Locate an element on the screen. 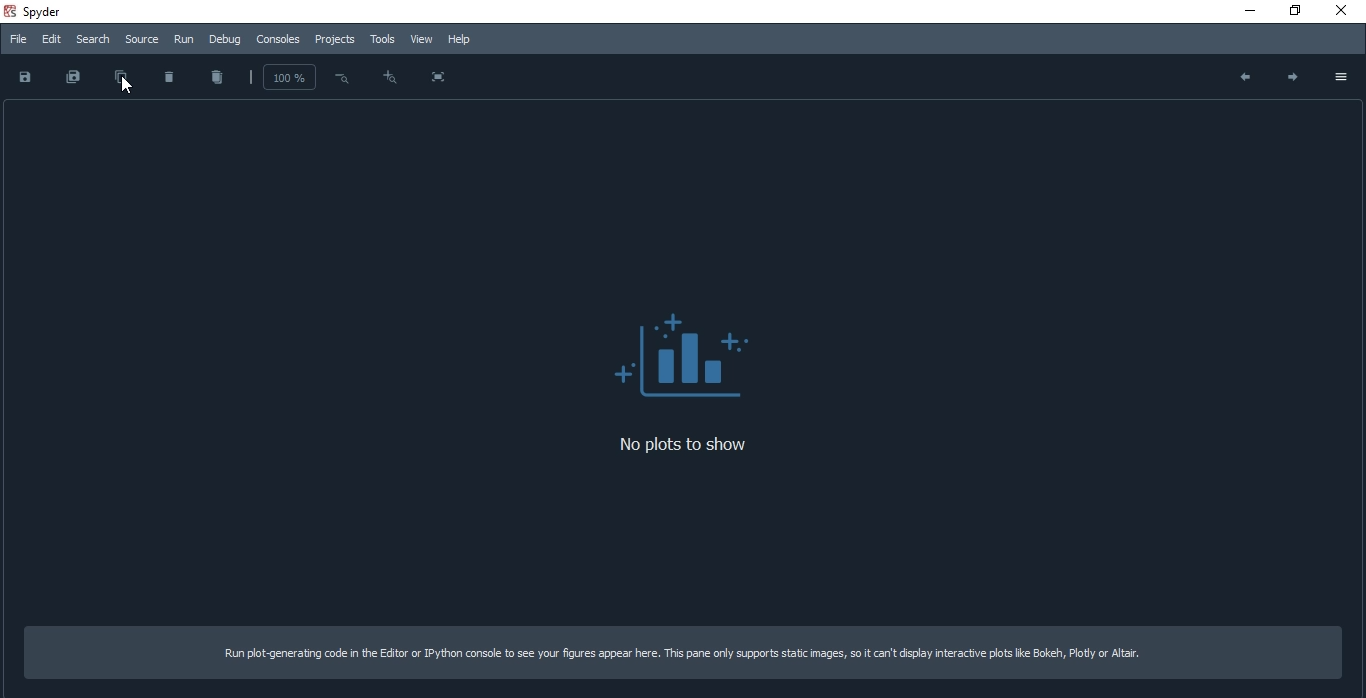 This screenshot has height=698, width=1366. Projects is located at coordinates (337, 41).